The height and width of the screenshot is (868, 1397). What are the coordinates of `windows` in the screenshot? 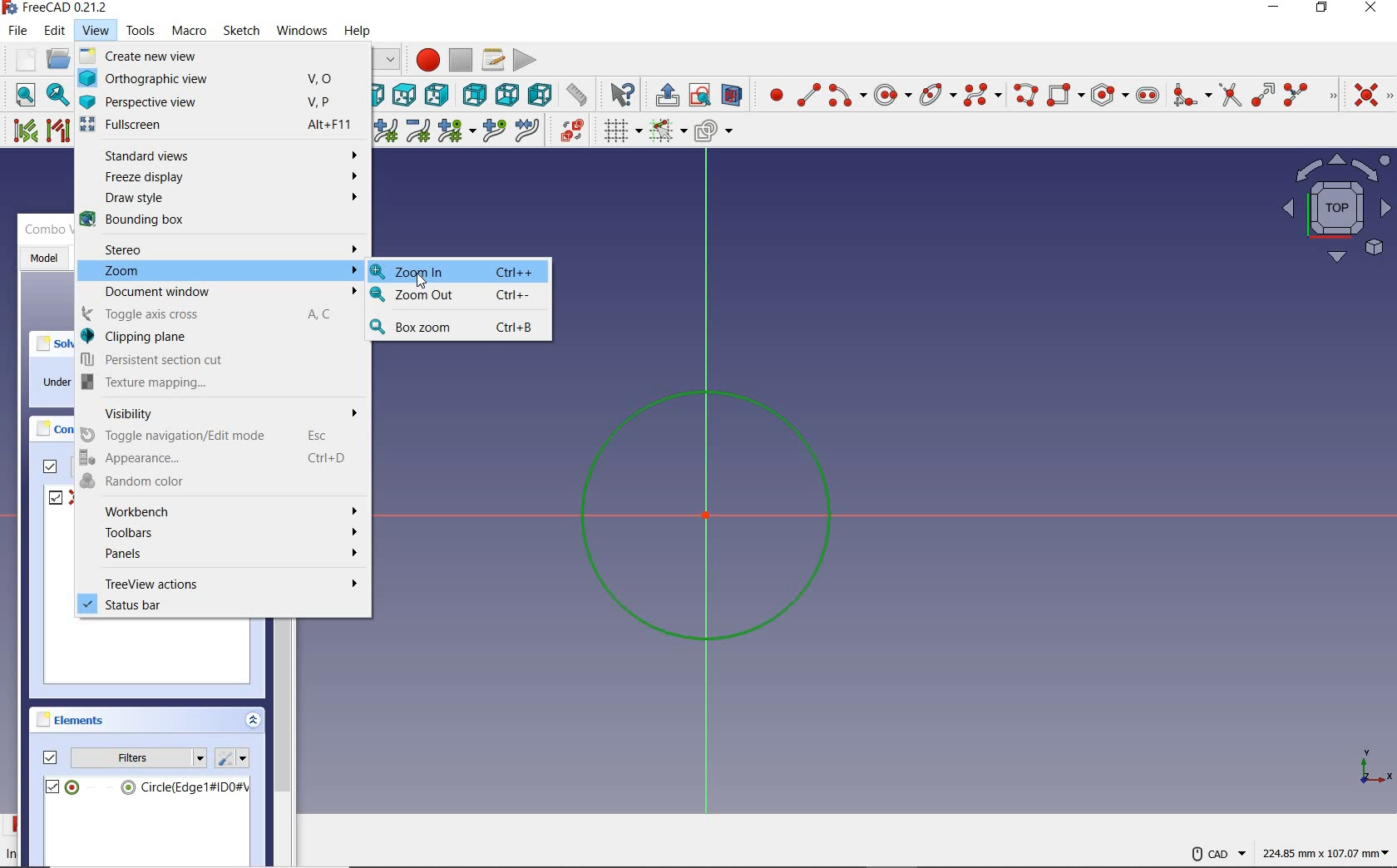 It's located at (304, 31).